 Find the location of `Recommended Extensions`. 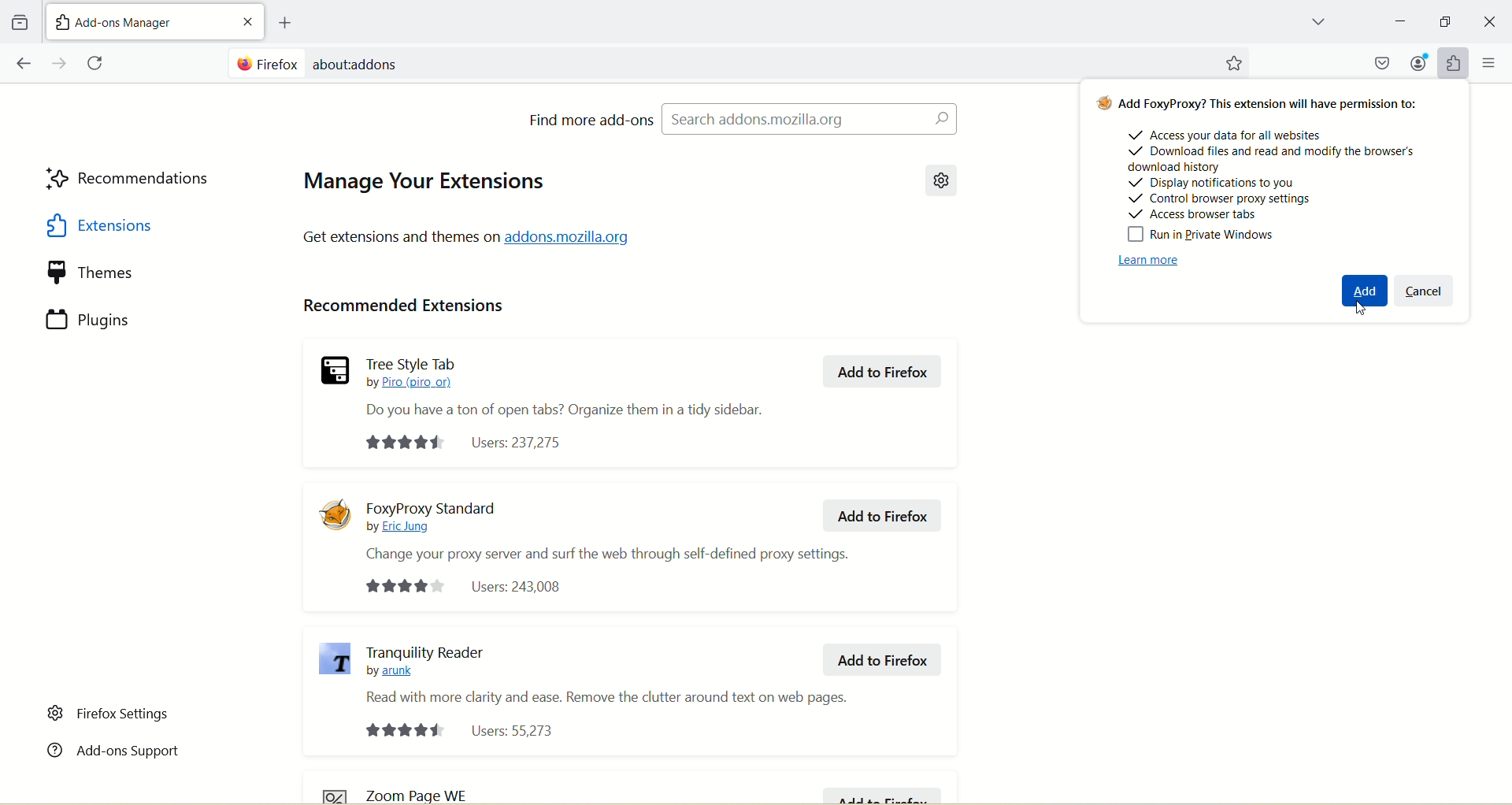

Recommended Extensions is located at coordinates (405, 308).